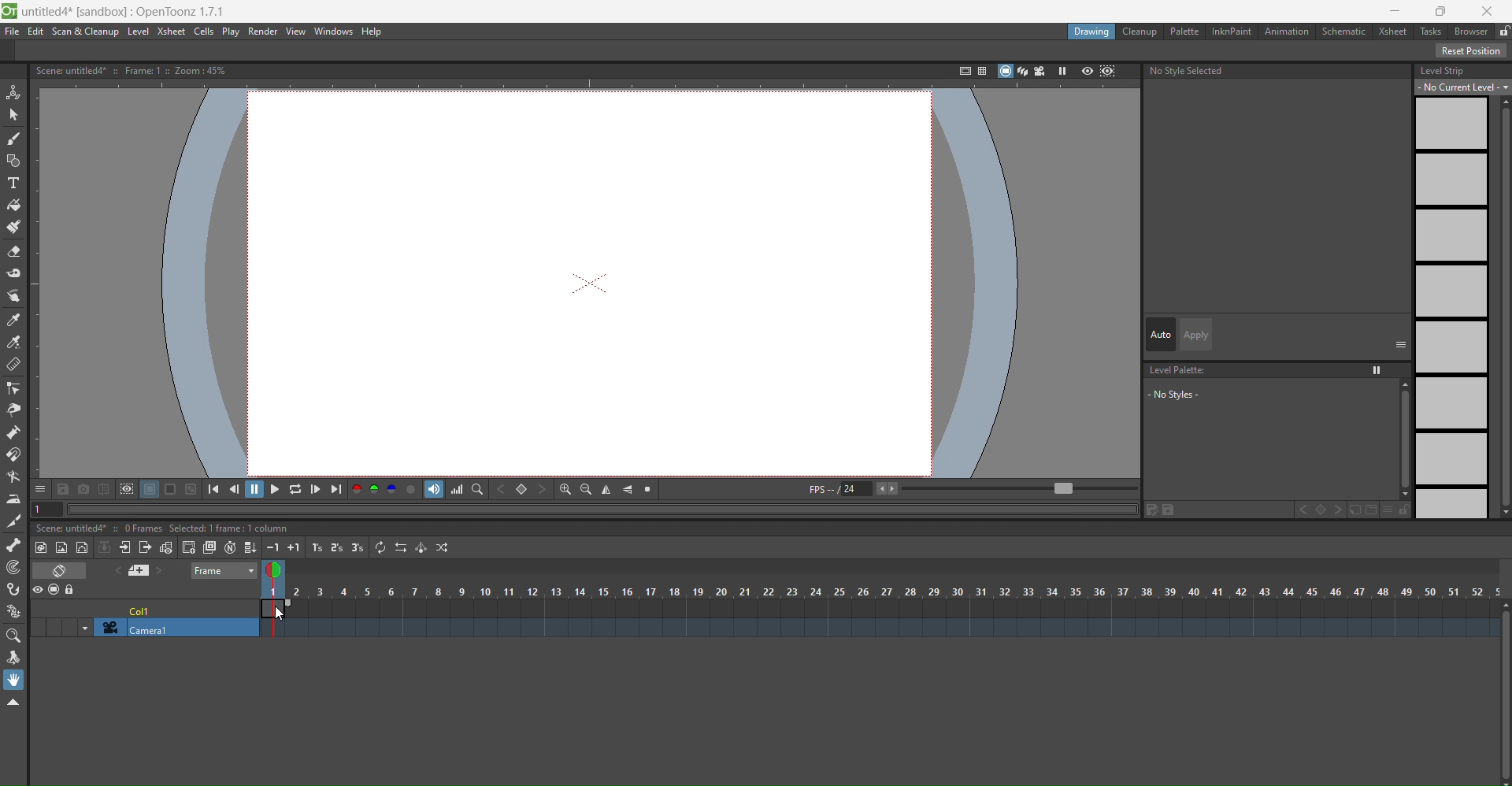 This screenshot has height=786, width=1512. Describe the element at coordinates (376, 32) in the screenshot. I see `help` at that location.